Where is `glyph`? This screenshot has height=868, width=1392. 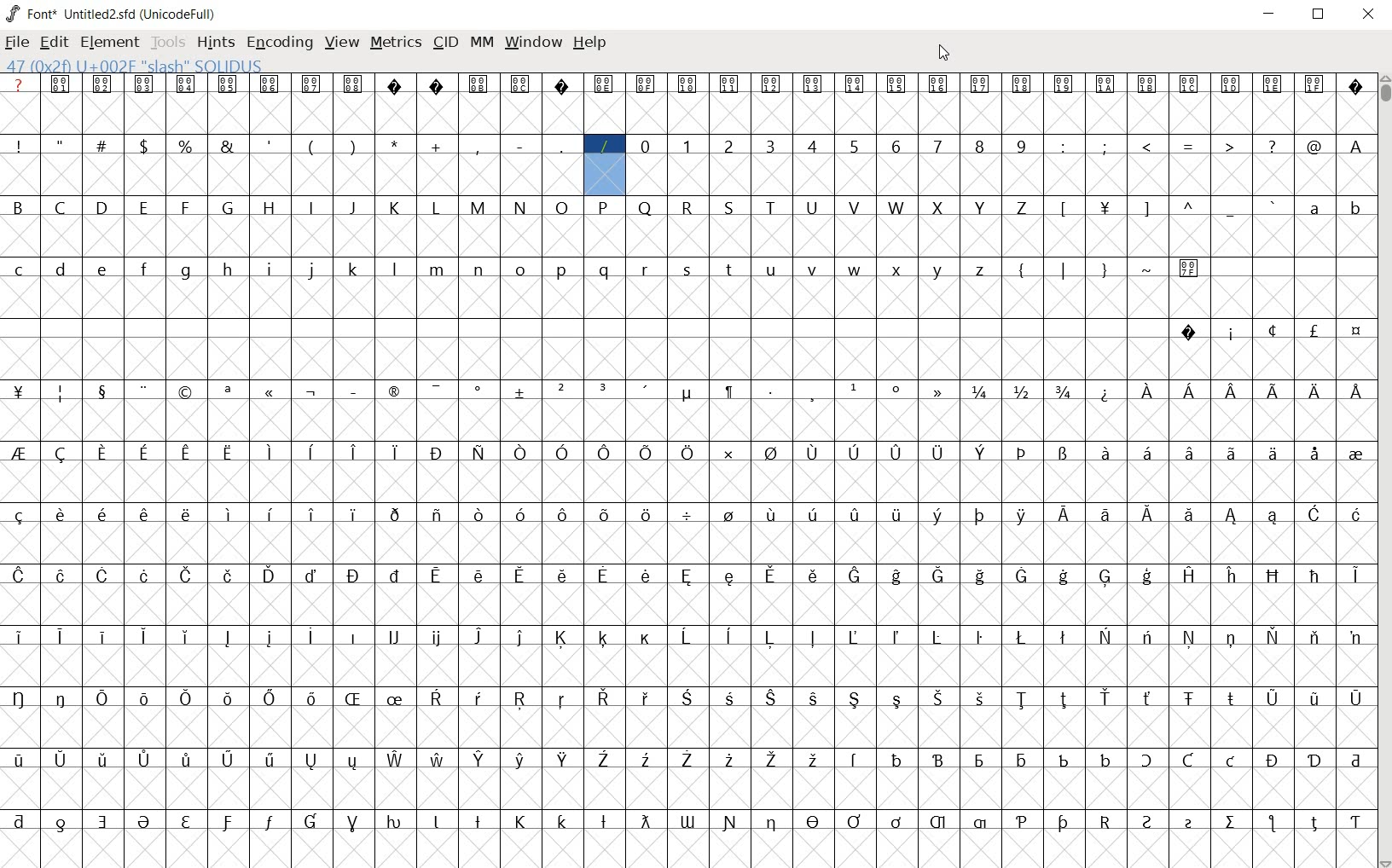
glyph is located at coordinates (1273, 453).